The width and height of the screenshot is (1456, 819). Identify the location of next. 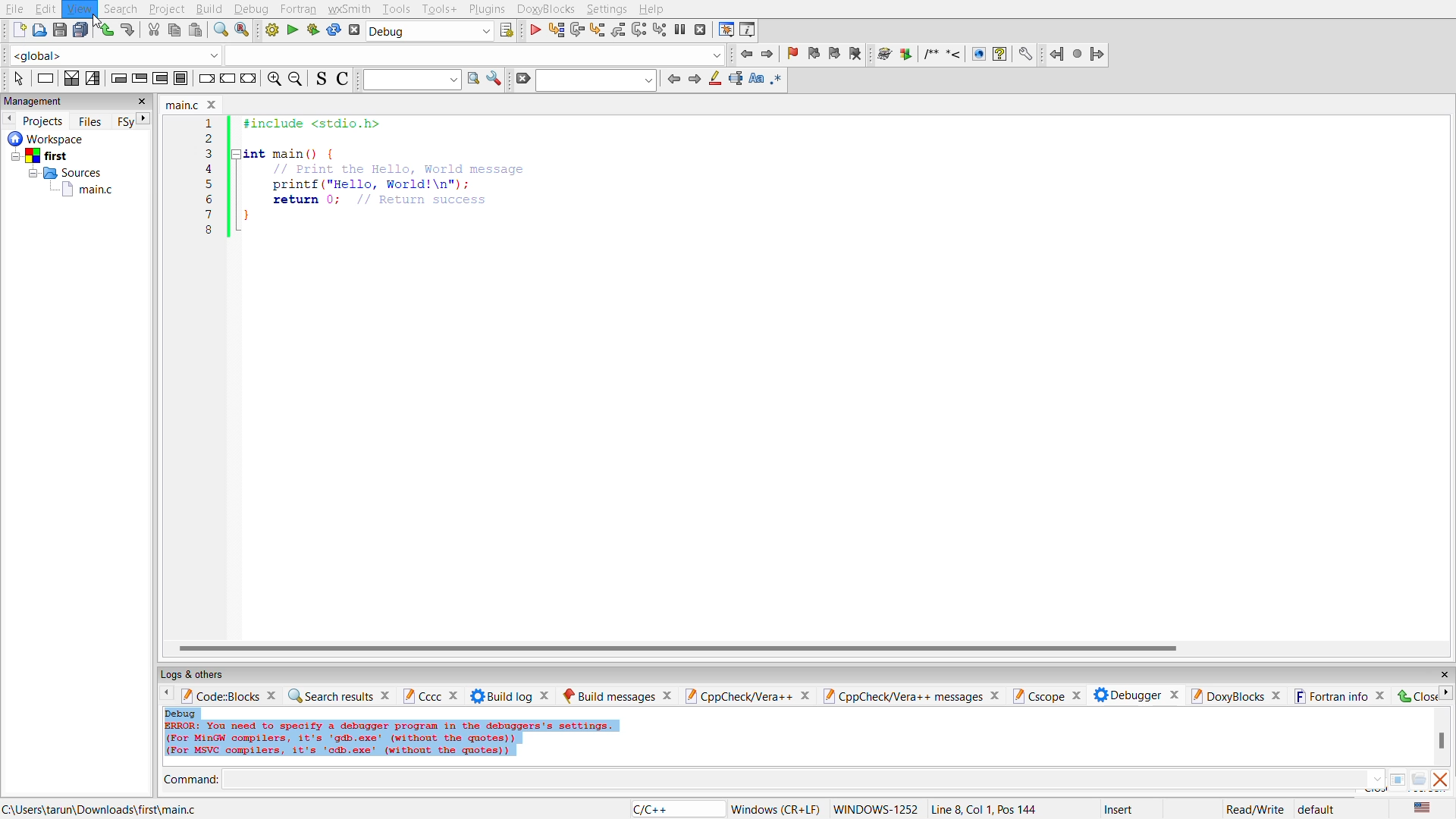
(695, 80).